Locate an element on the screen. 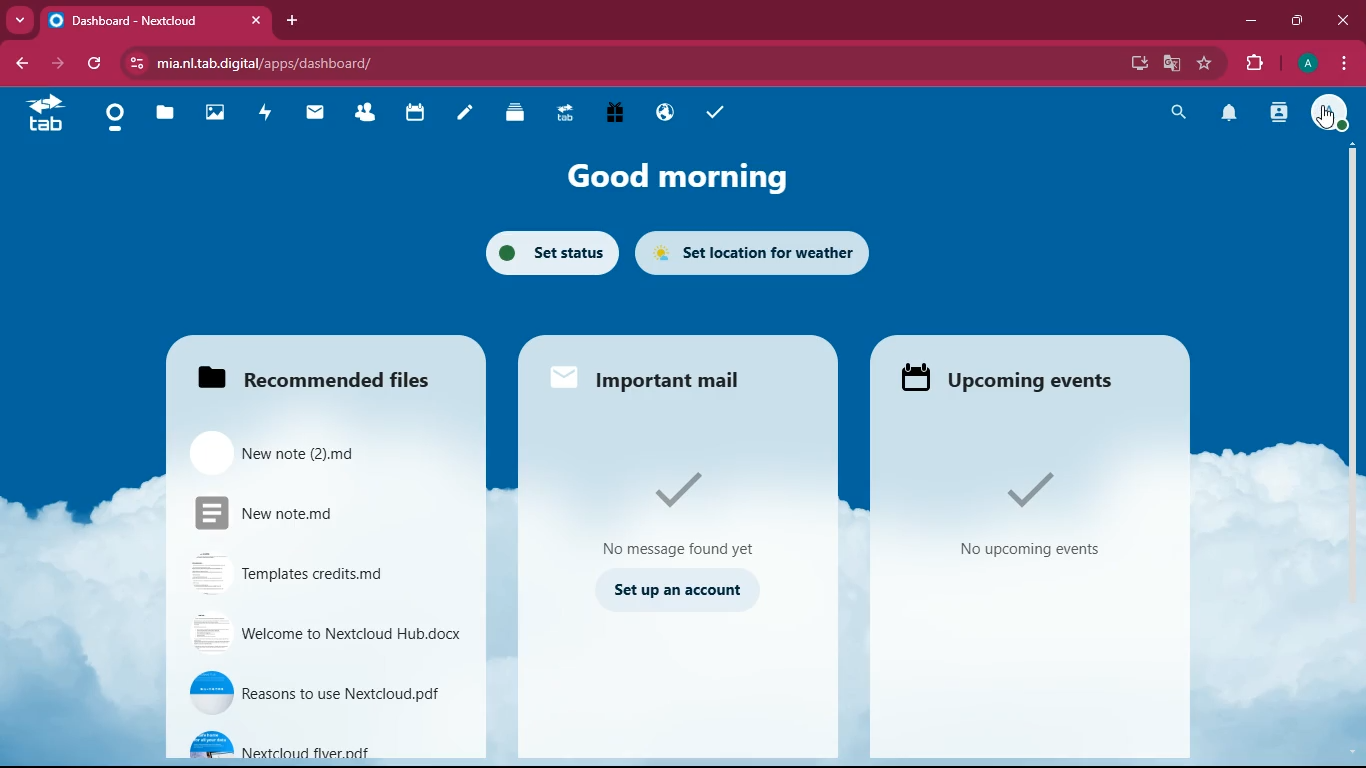 The height and width of the screenshot is (768, 1366). tab is located at coordinates (564, 112).